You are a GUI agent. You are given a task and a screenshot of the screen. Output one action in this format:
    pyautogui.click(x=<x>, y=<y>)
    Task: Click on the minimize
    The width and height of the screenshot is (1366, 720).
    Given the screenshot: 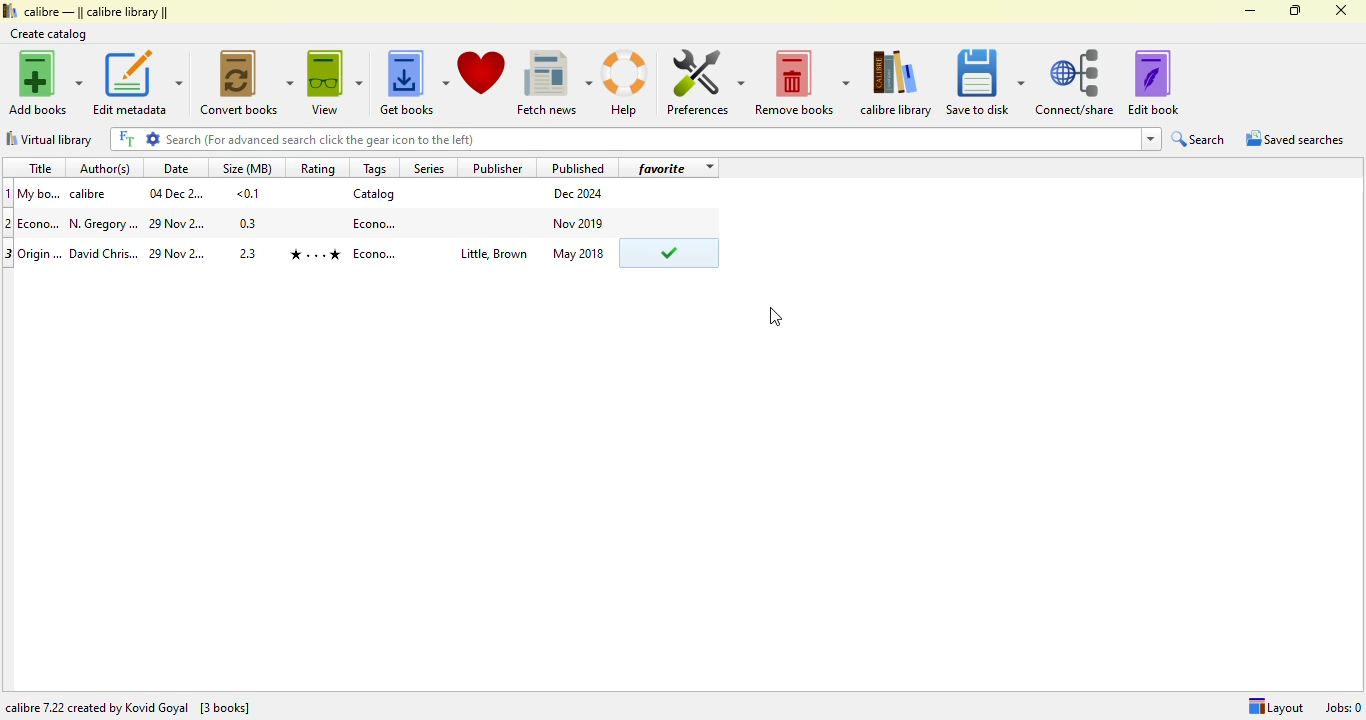 What is the action you would take?
    pyautogui.click(x=1251, y=11)
    